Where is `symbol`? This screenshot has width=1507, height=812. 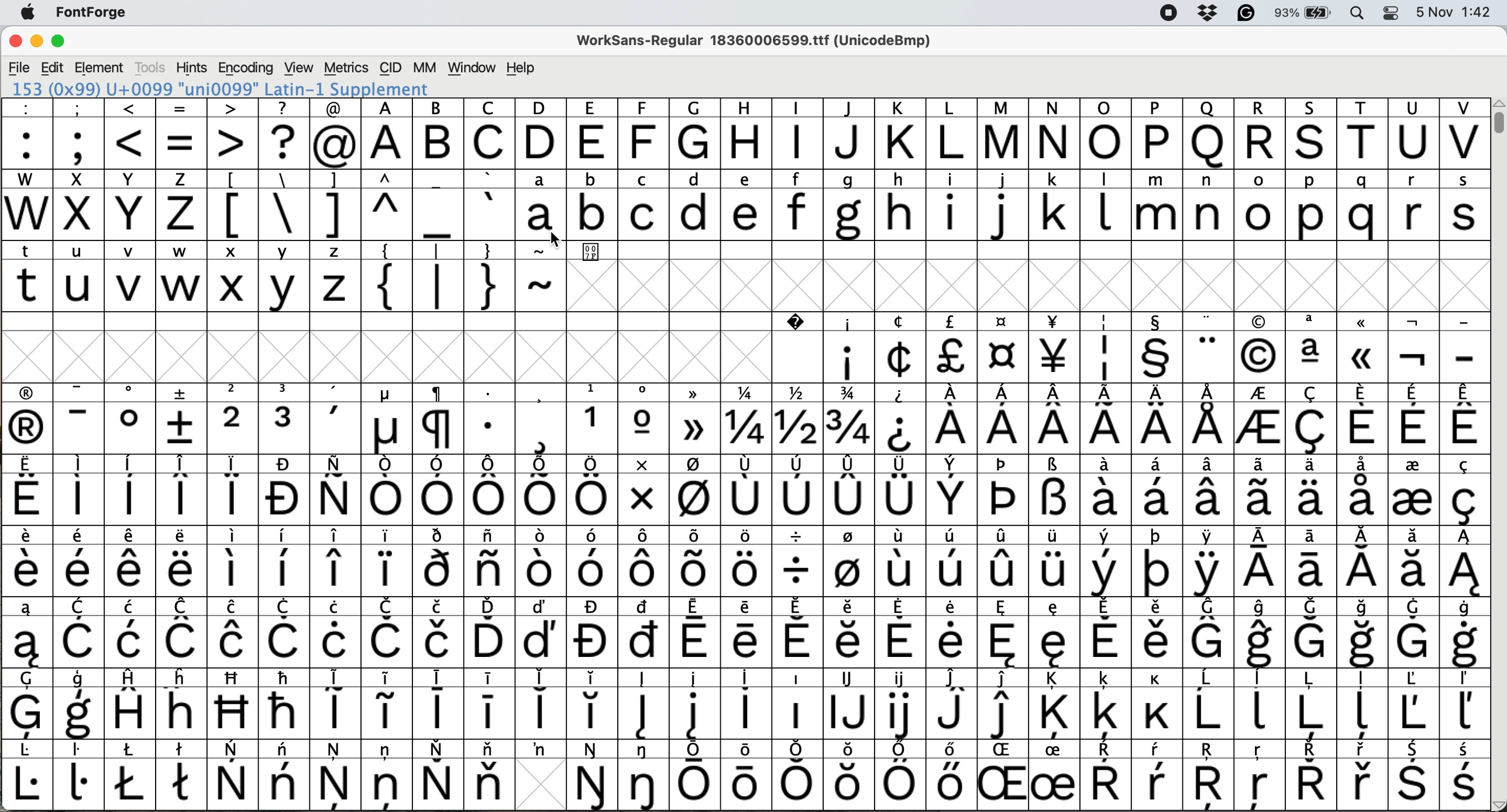 symbol is located at coordinates (696, 775).